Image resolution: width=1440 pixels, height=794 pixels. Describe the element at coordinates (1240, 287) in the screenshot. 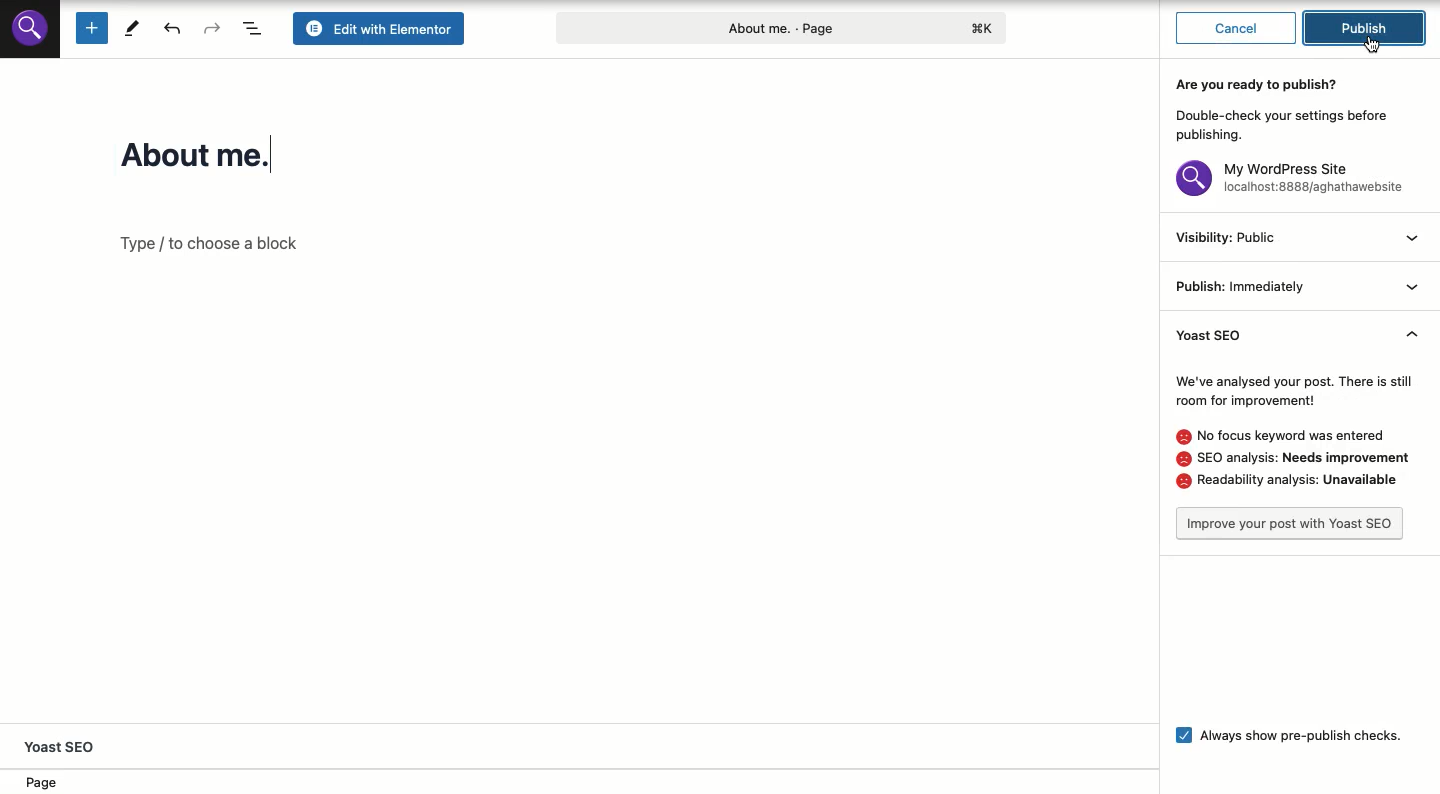

I see `Publish: Immediately` at that location.